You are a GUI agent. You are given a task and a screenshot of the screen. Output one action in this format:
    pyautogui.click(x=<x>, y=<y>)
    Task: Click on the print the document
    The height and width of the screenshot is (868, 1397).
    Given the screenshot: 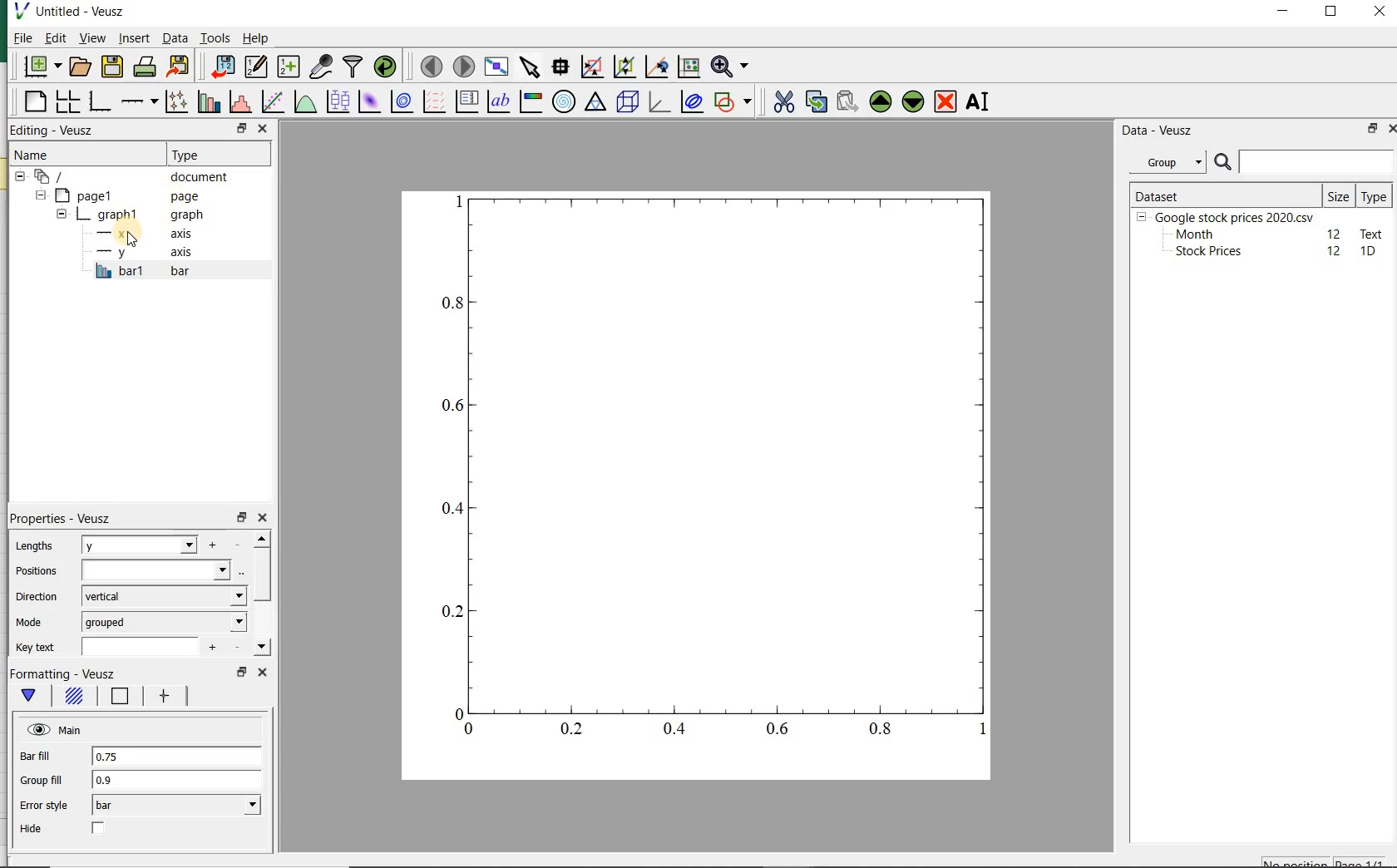 What is the action you would take?
    pyautogui.click(x=145, y=68)
    